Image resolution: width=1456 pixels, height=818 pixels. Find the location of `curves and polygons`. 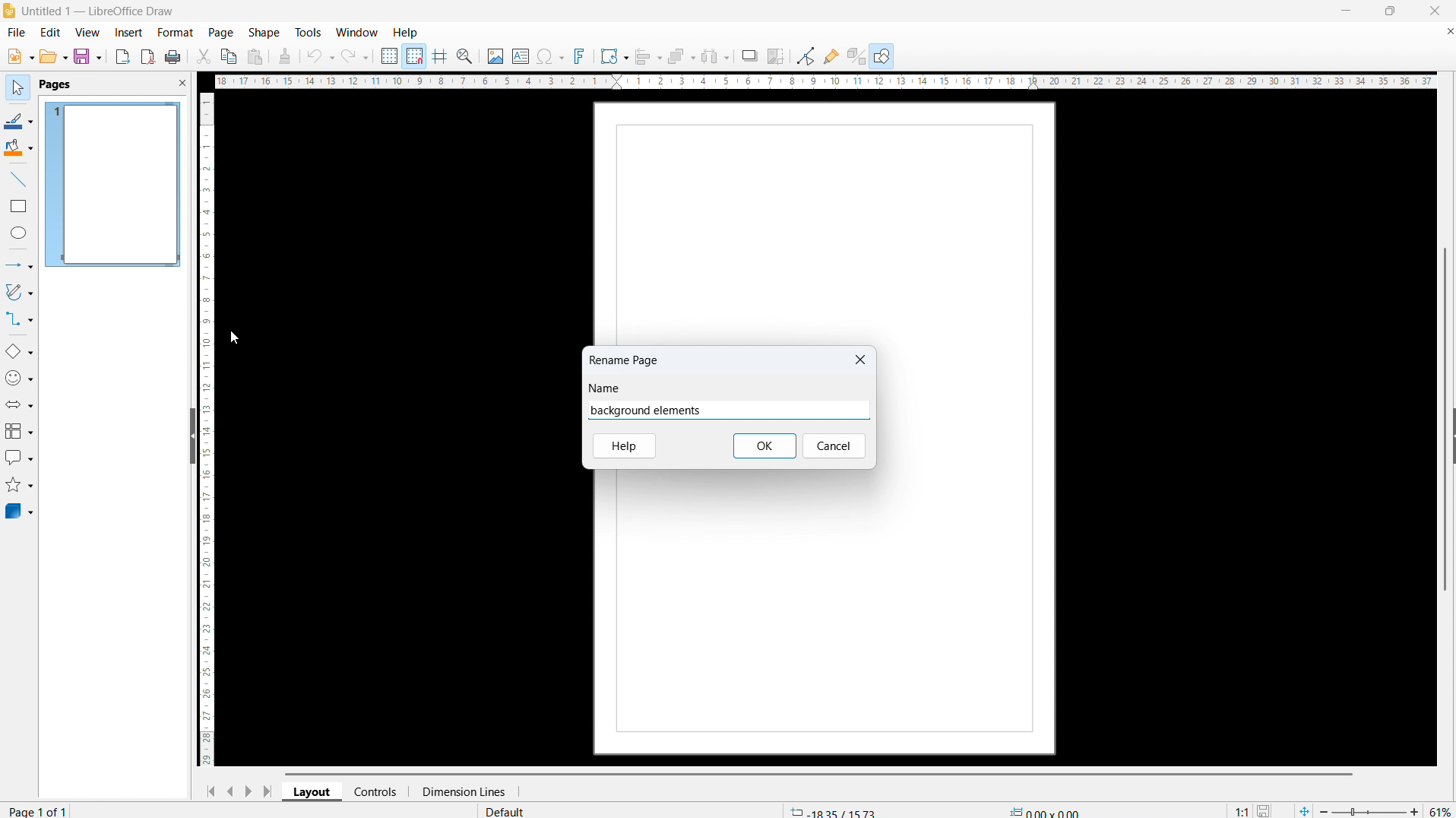

curves and polygons is located at coordinates (19, 293).